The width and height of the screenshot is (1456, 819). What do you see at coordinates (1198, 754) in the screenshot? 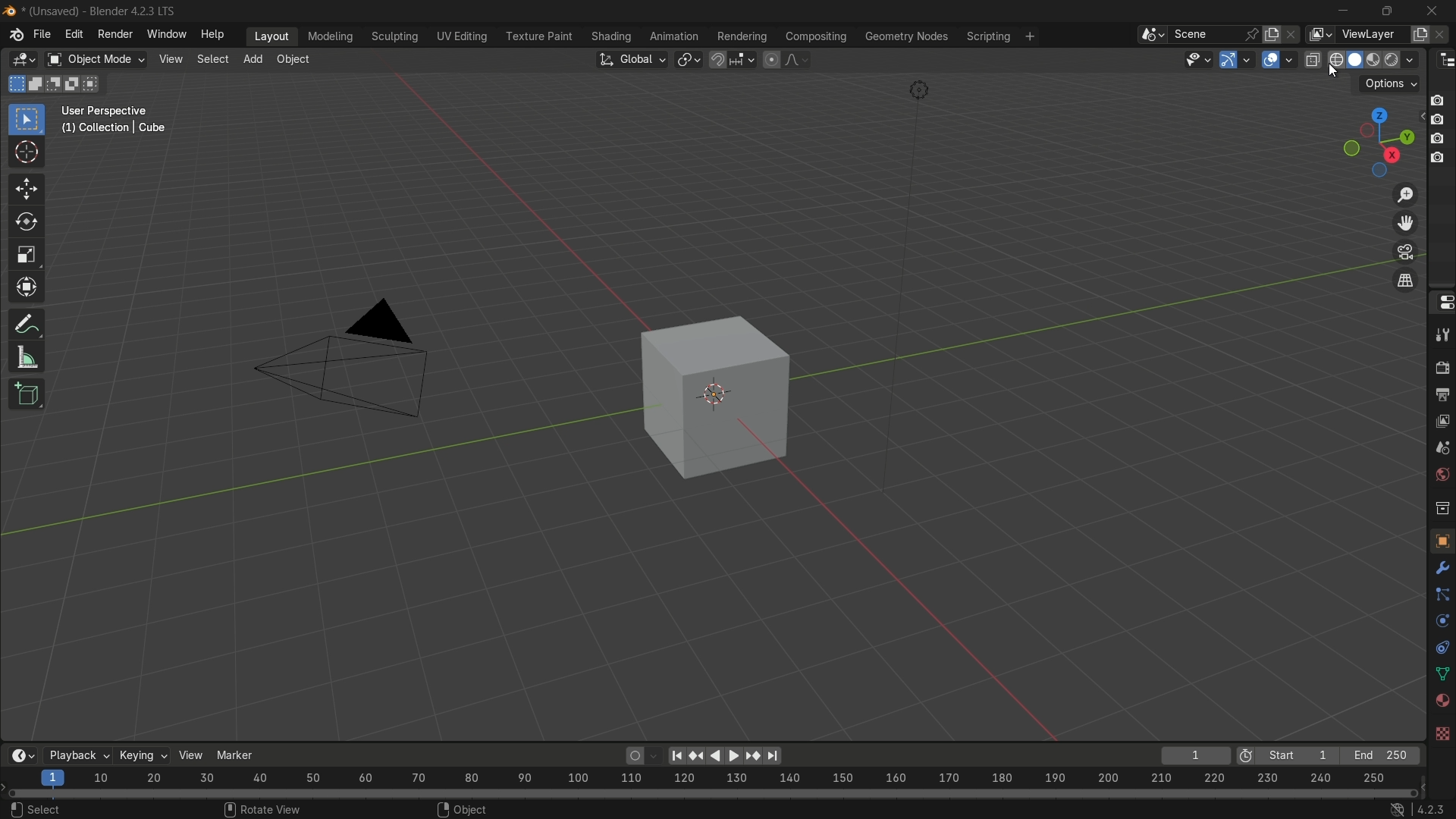
I see `current frame` at bounding box center [1198, 754].